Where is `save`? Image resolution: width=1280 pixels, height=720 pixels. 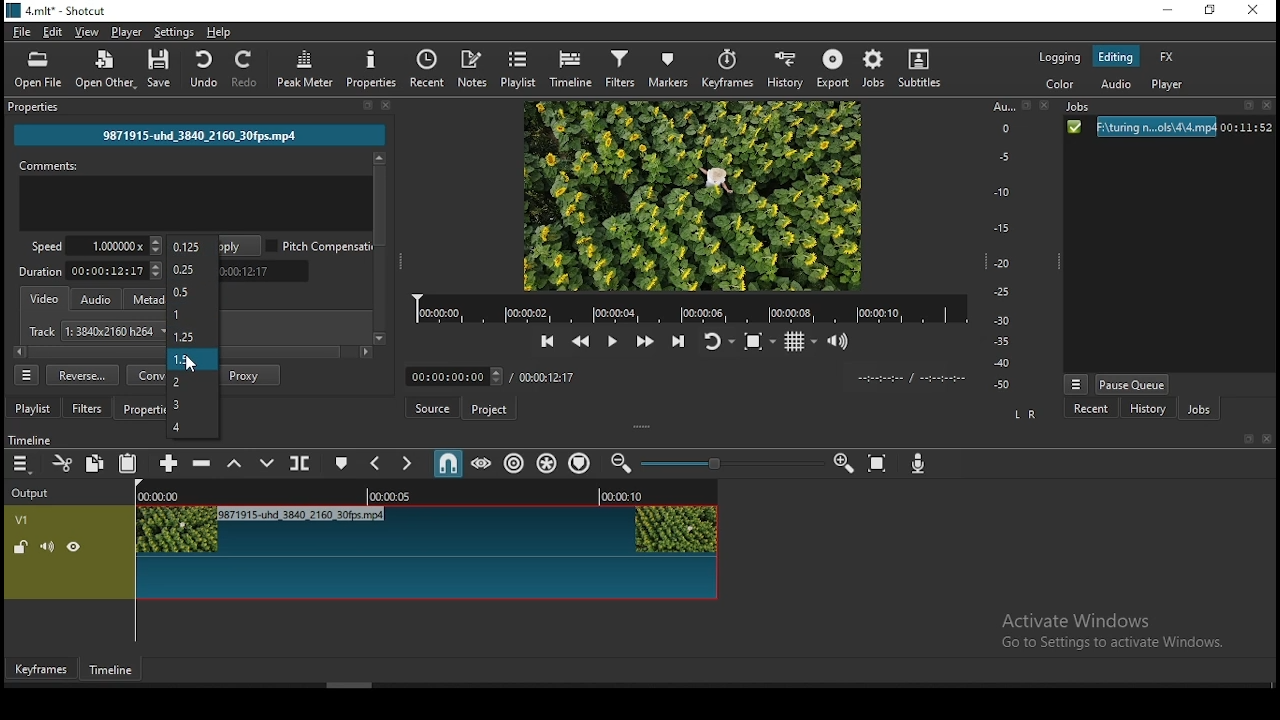
save is located at coordinates (161, 70).